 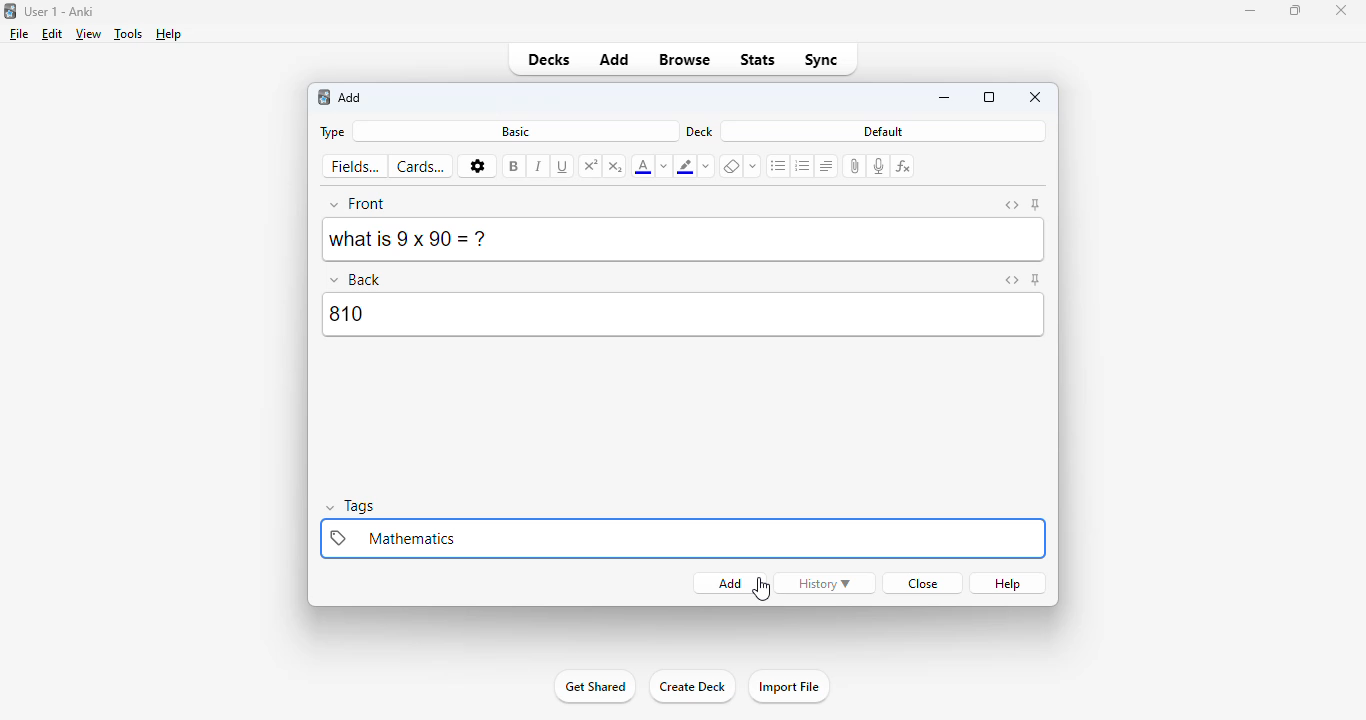 I want to click on sync, so click(x=822, y=59).